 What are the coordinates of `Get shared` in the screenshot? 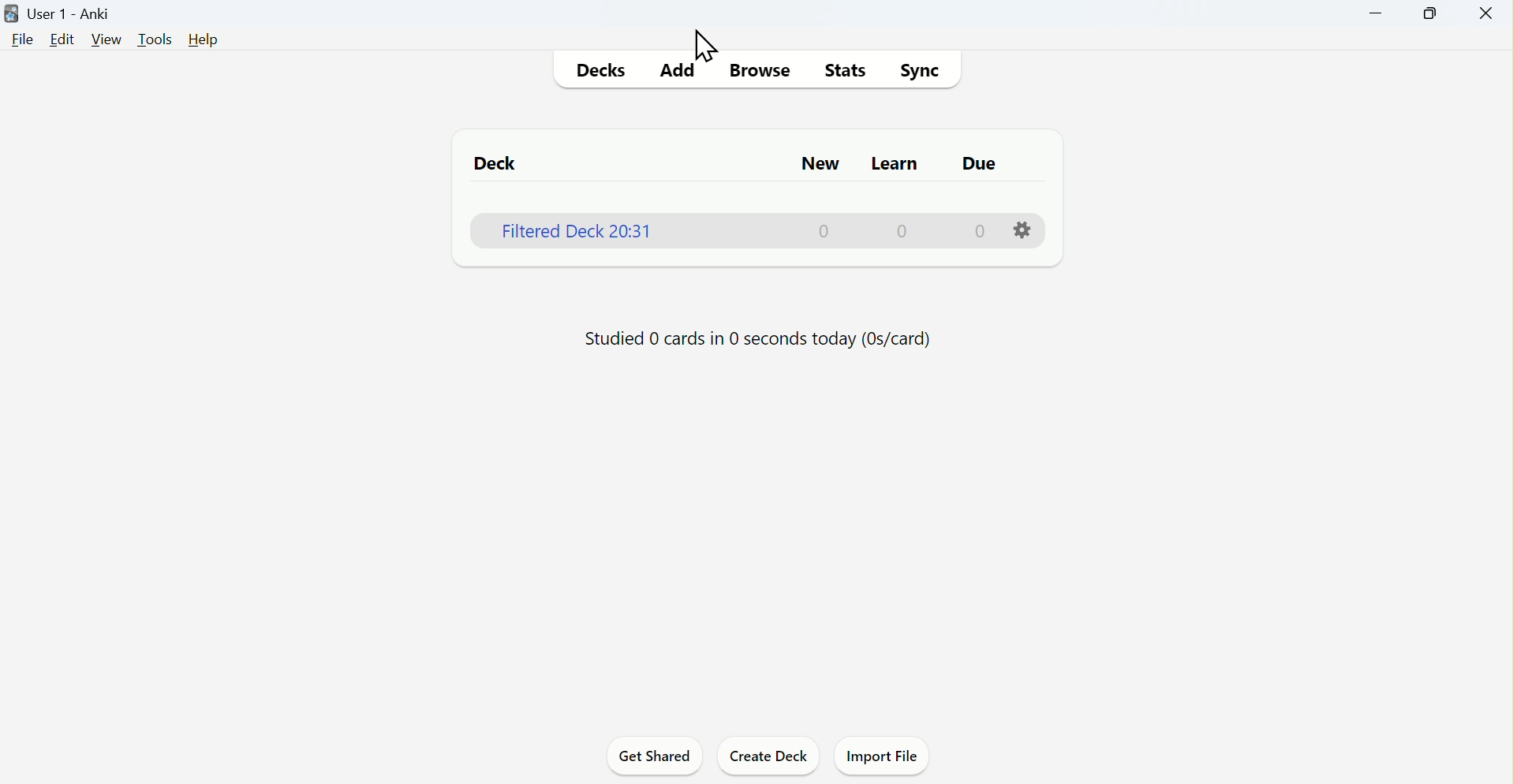 It's located at (652, 758).